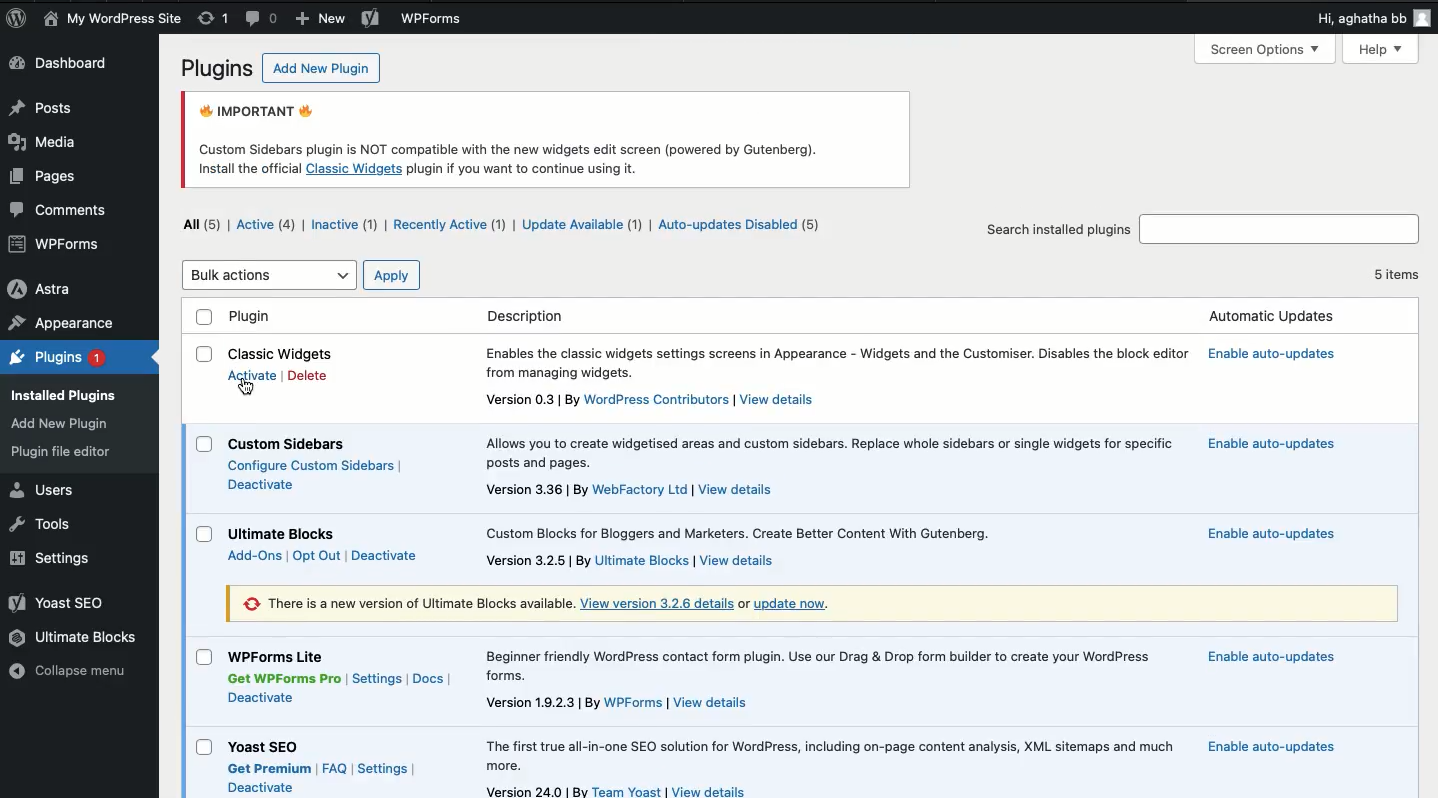  What do you see at coordinates (214, 70) in the screenshot?
I see `Plugins` at bounding box center [214, 70].